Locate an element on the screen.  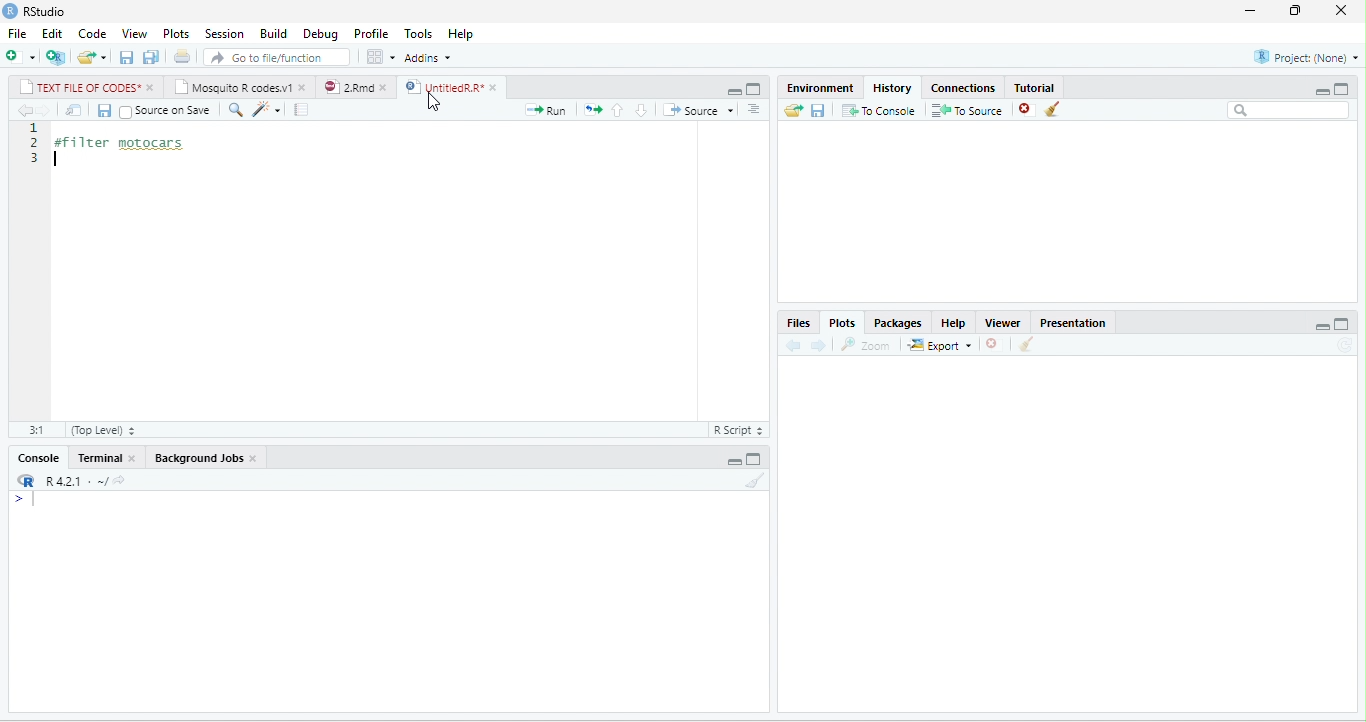
#filter motocars is located at coordinates (129, 144).